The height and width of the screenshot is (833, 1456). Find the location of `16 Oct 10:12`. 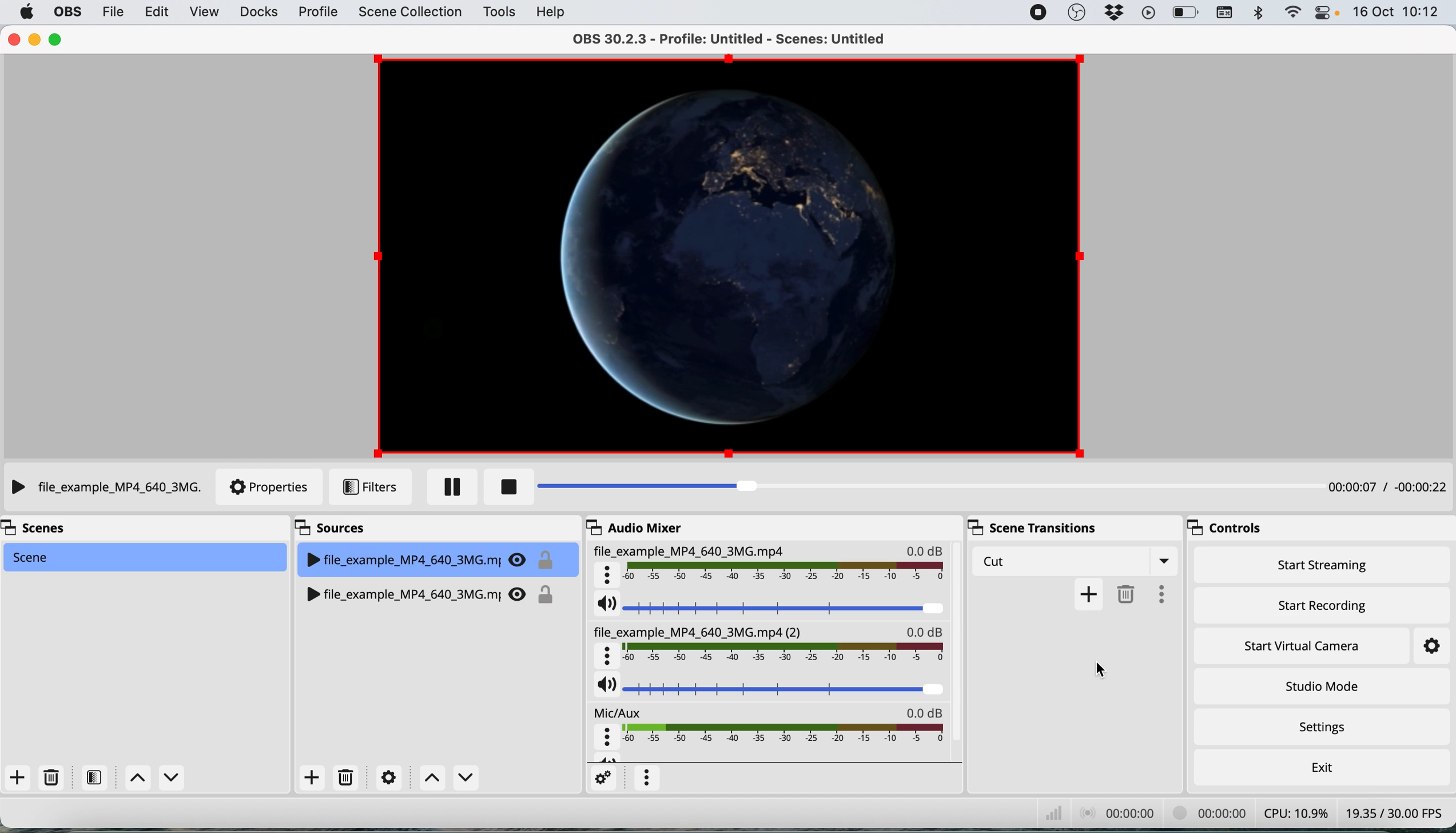

16 Oct 10:12 is located at coordinates (1398, 11).